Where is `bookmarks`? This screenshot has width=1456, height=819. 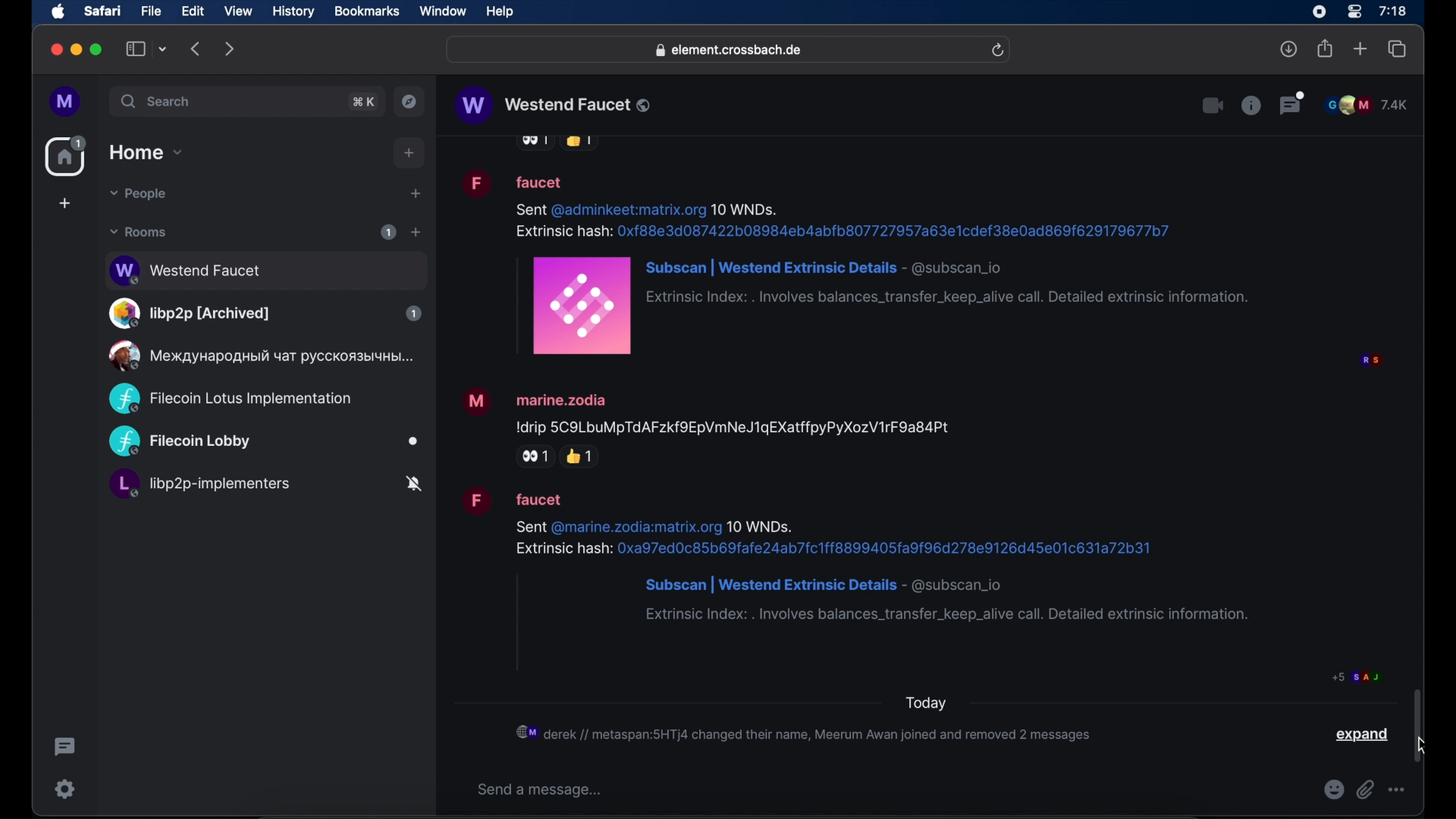 bookmarks is located at coordinates (366, 11).